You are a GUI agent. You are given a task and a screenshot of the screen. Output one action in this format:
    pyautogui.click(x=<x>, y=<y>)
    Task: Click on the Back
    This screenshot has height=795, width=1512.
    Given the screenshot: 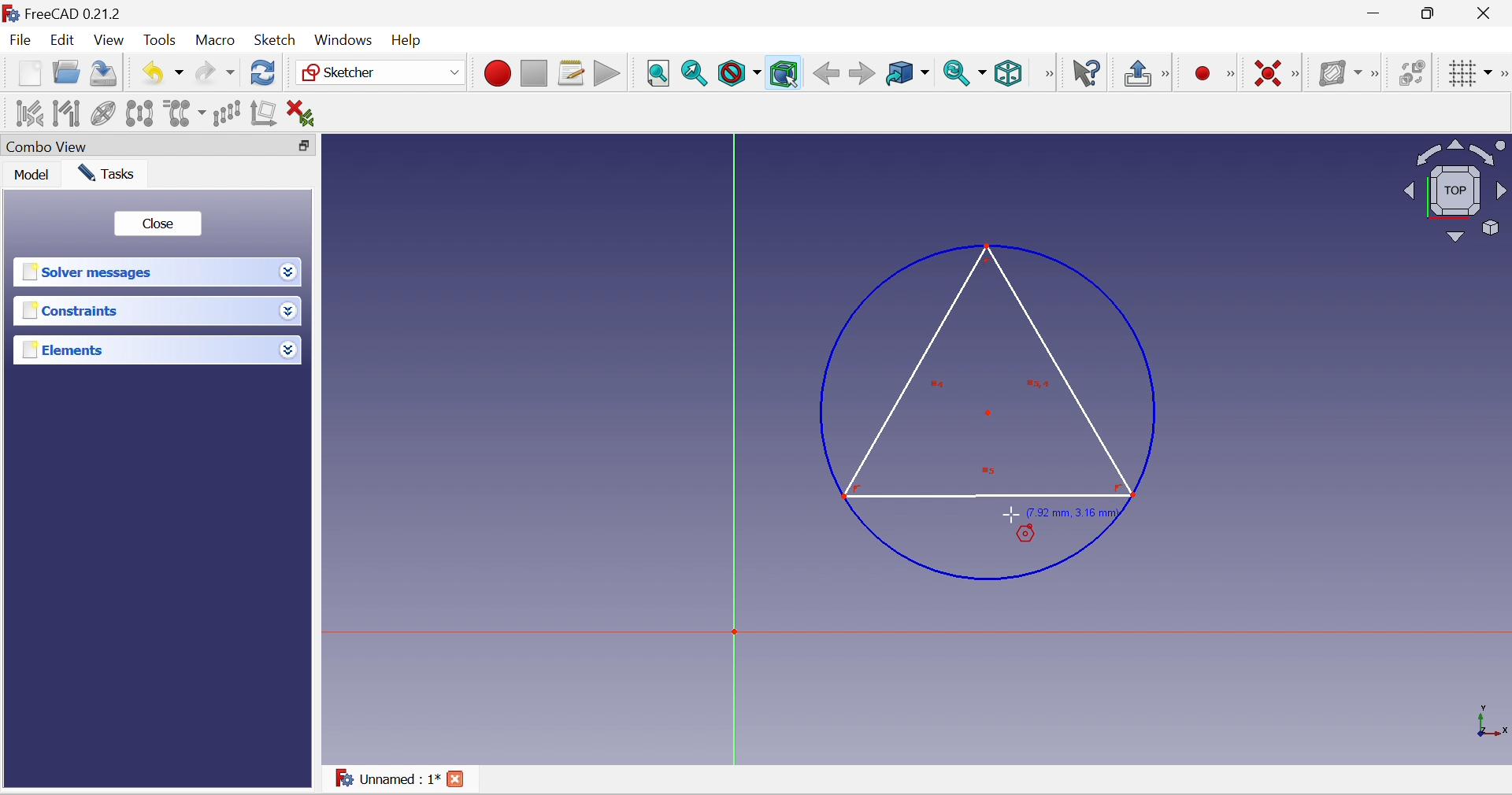 What is the action you would take?
    pyautogui.click(x=827, y=74)
    